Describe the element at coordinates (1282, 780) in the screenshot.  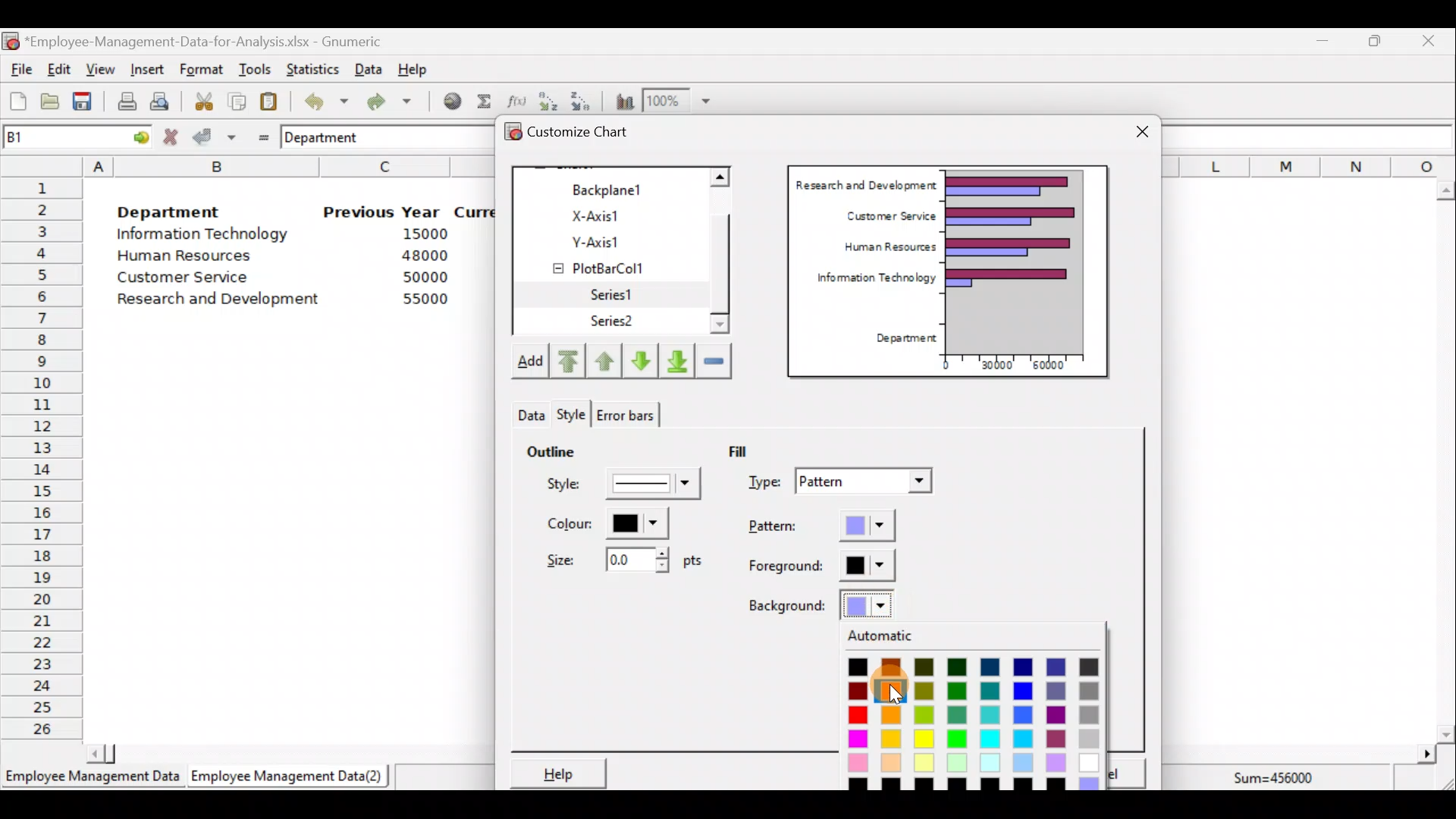
I see `Sum=456000` at that location.